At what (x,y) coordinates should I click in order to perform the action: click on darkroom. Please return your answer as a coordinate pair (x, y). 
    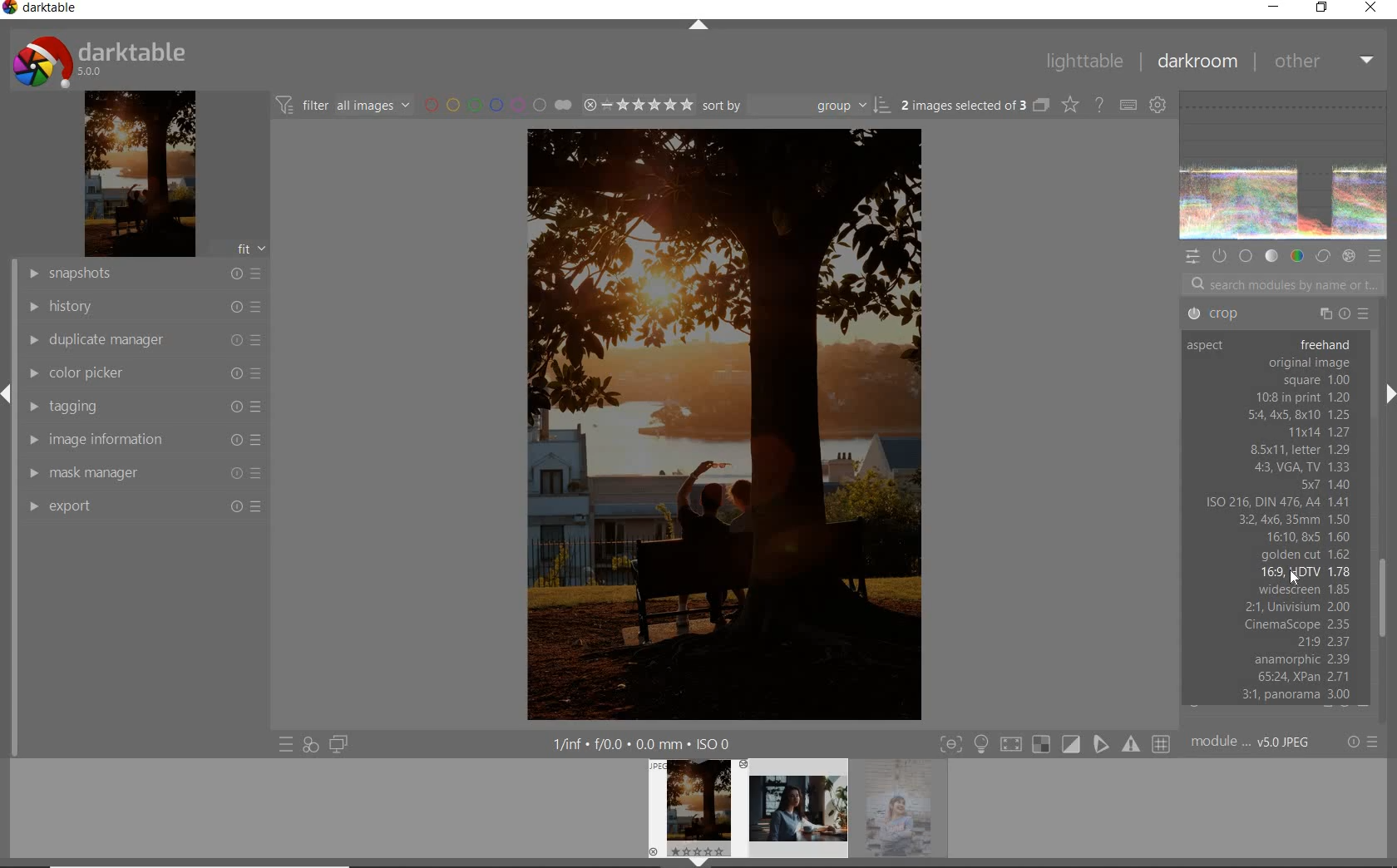
    Looking at the image, I should click on (1197, 62).